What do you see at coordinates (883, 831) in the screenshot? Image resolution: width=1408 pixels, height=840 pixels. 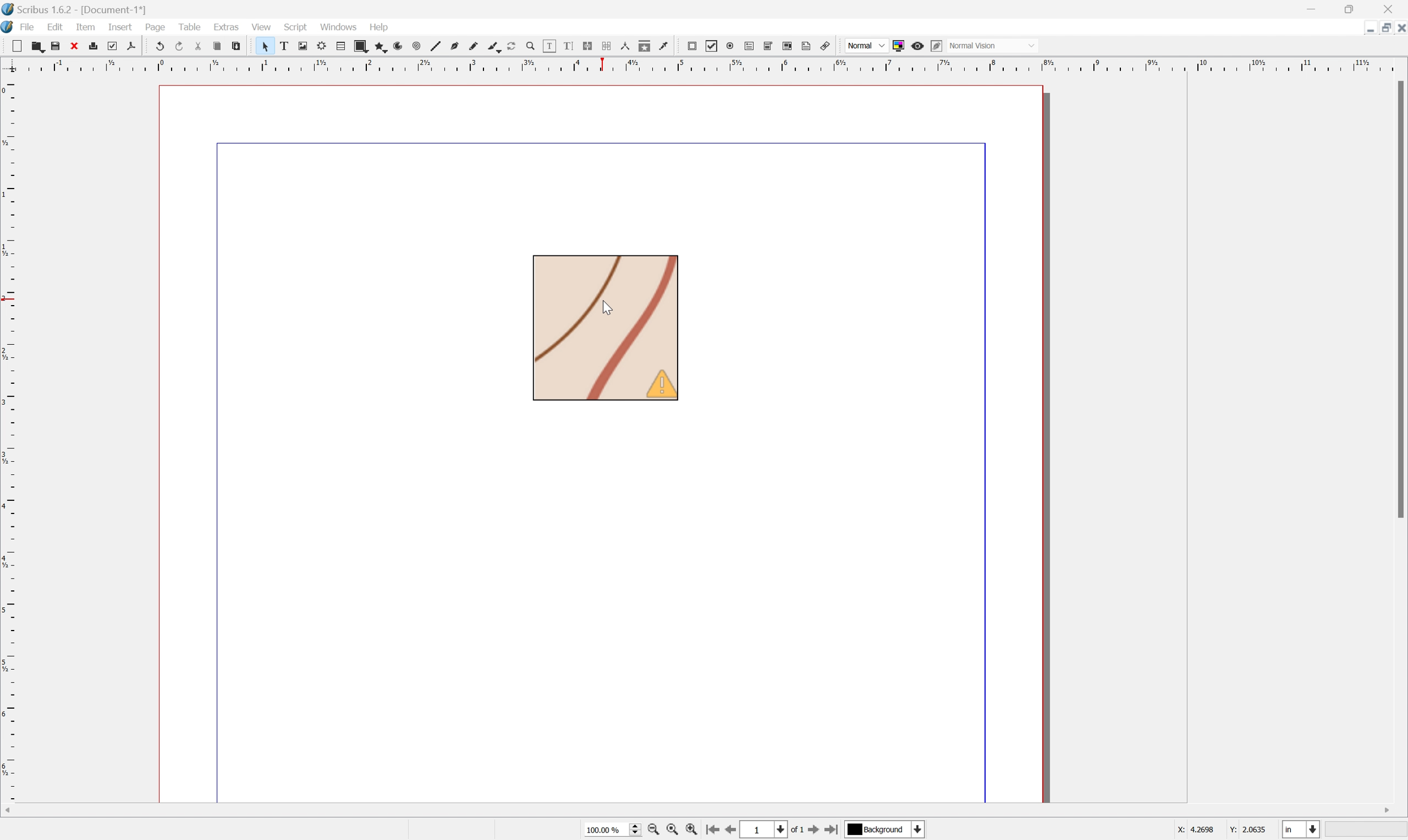 I see `Select the current player` at bounding box center [883, 831].